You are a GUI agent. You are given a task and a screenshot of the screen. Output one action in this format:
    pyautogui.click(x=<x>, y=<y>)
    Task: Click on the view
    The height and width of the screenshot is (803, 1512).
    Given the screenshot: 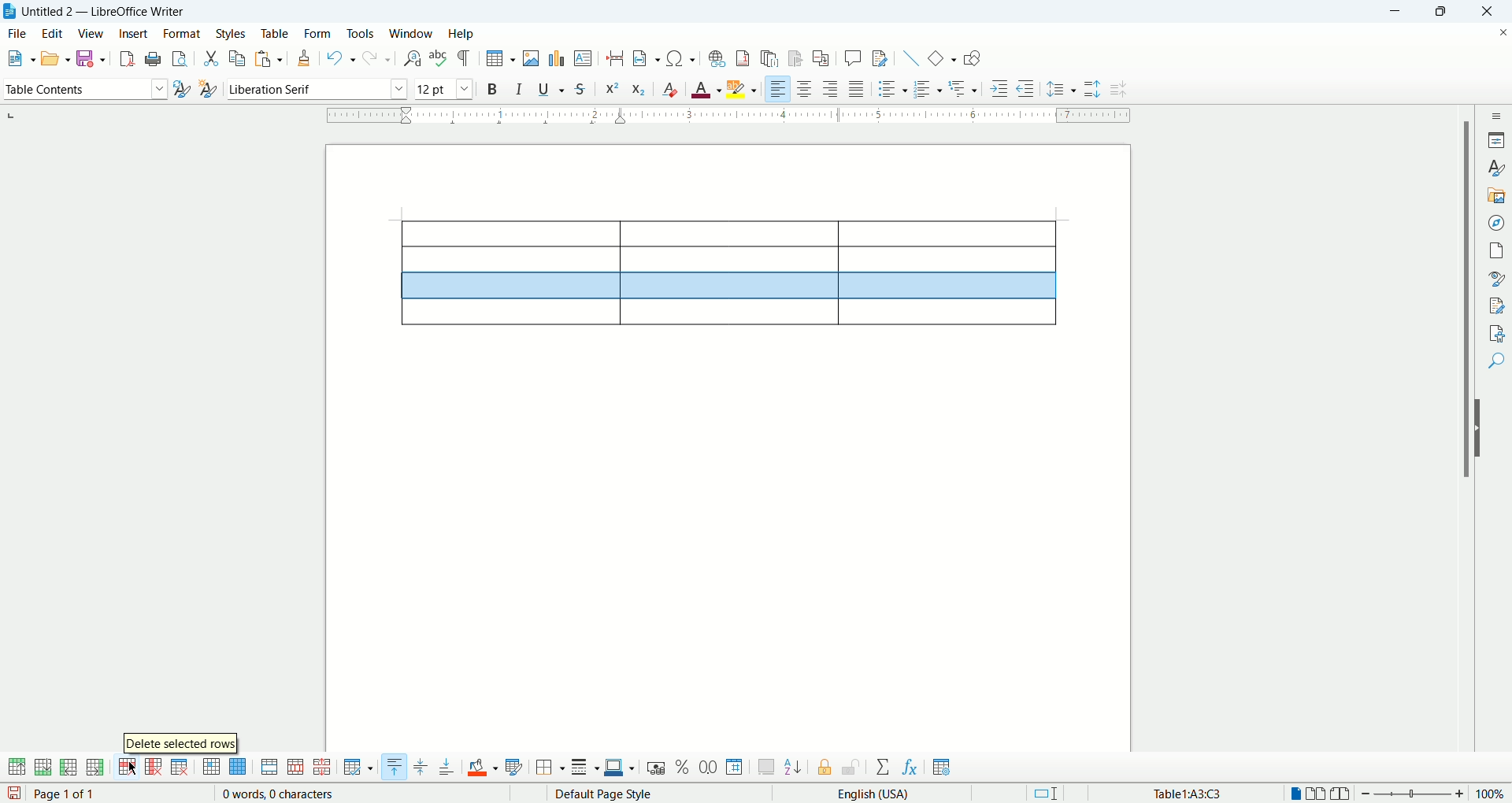 What is the action you would take?
    pyautogui.click(x=92, y=35)
    